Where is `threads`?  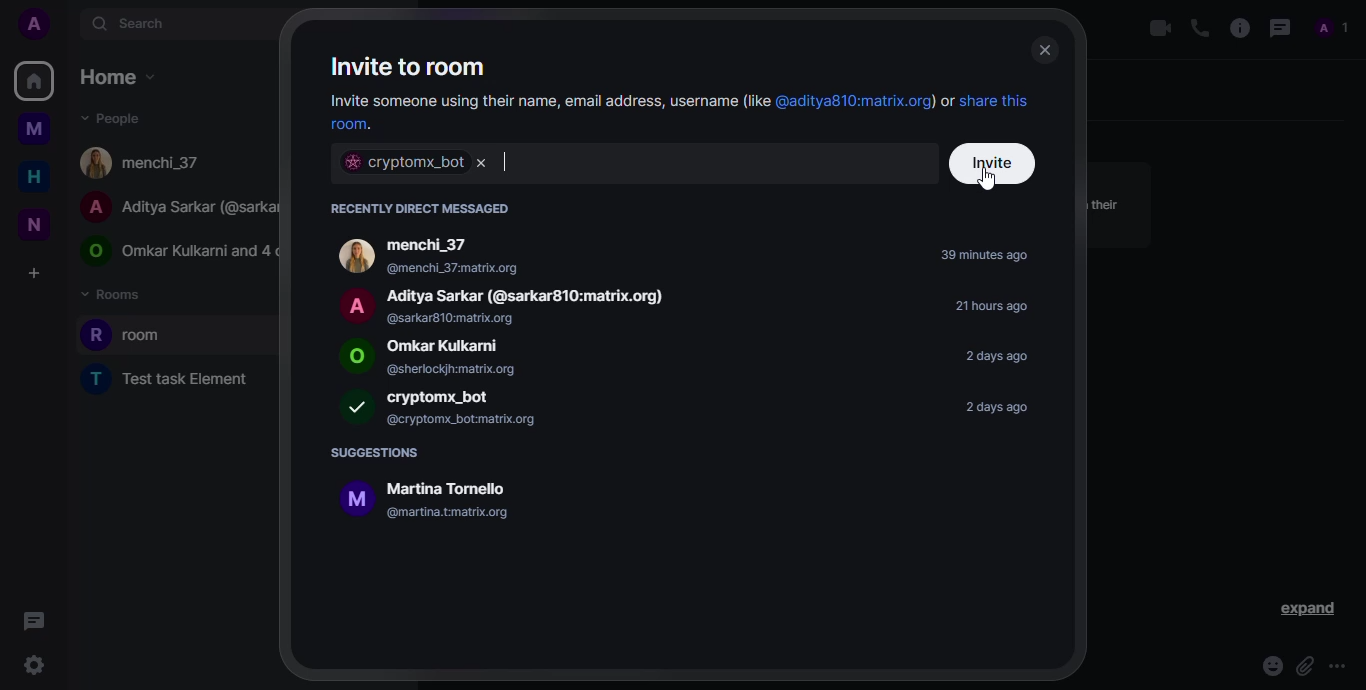 threads is located at coordinates (33, 621).